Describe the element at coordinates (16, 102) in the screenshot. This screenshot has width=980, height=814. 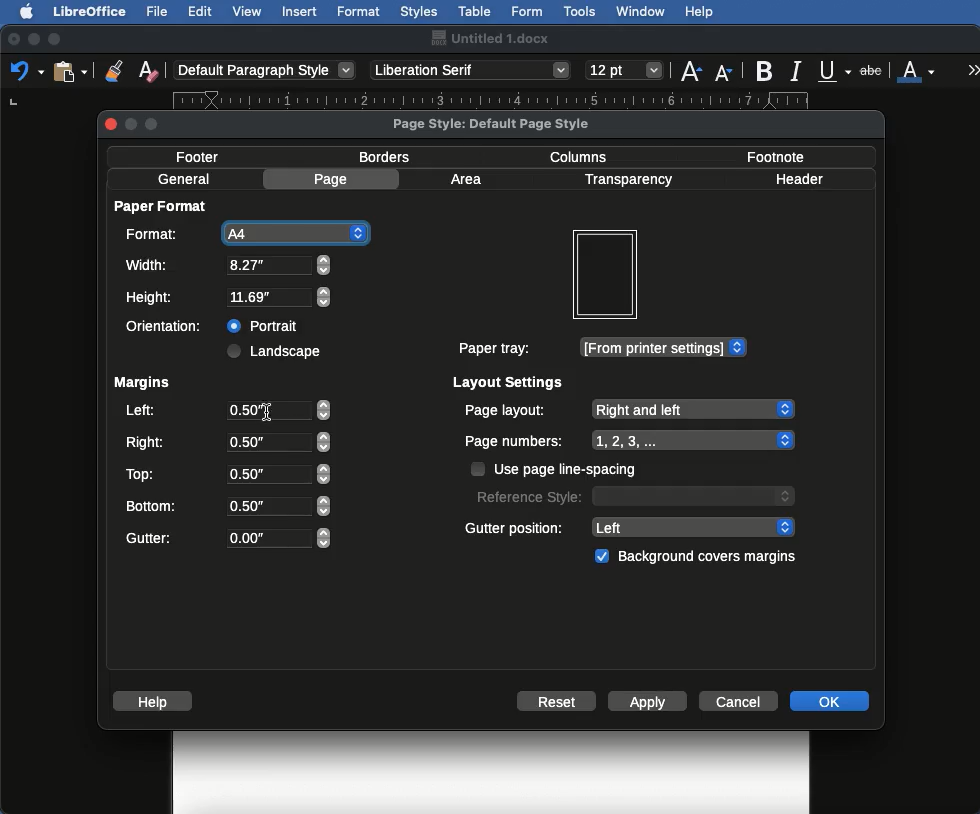
I see `left tab` at that location.